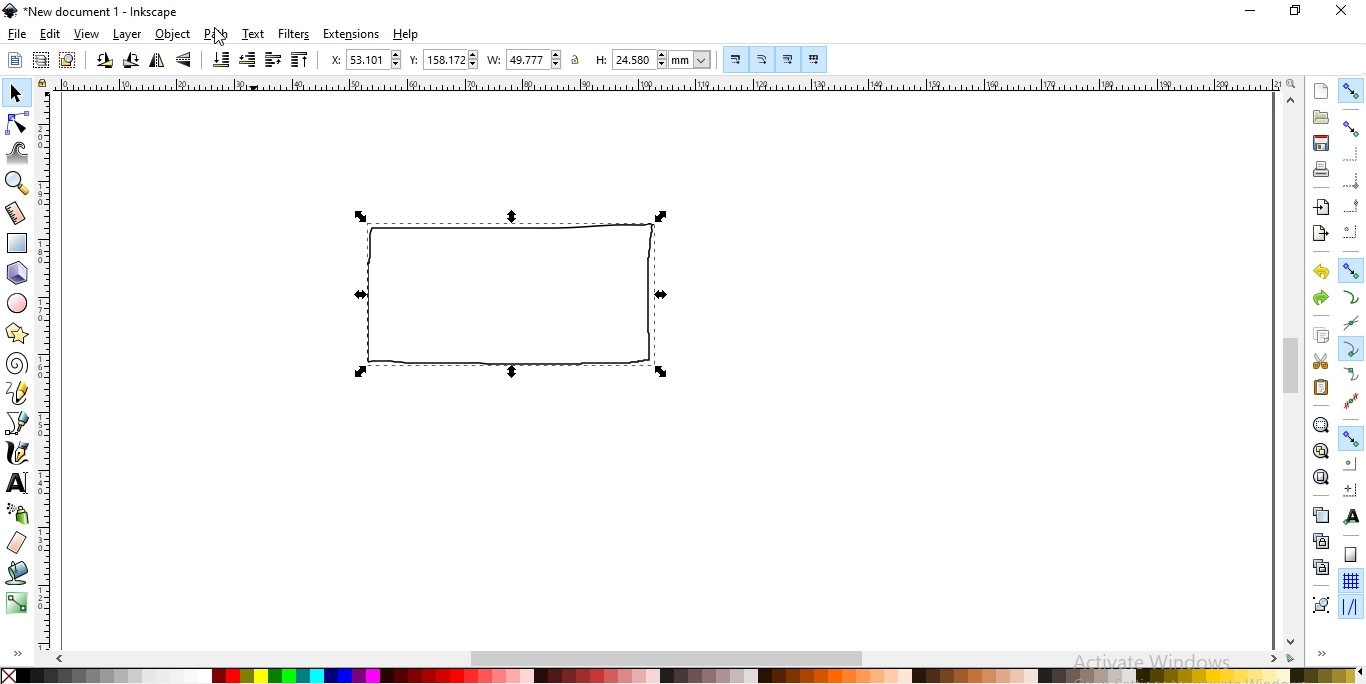 Image resolution: width=1366 pixels, height=684 pixels. What do you see at coordinates (526, 59) in the screenshot?
I see `width of selection` at bounding box center [526, 59].